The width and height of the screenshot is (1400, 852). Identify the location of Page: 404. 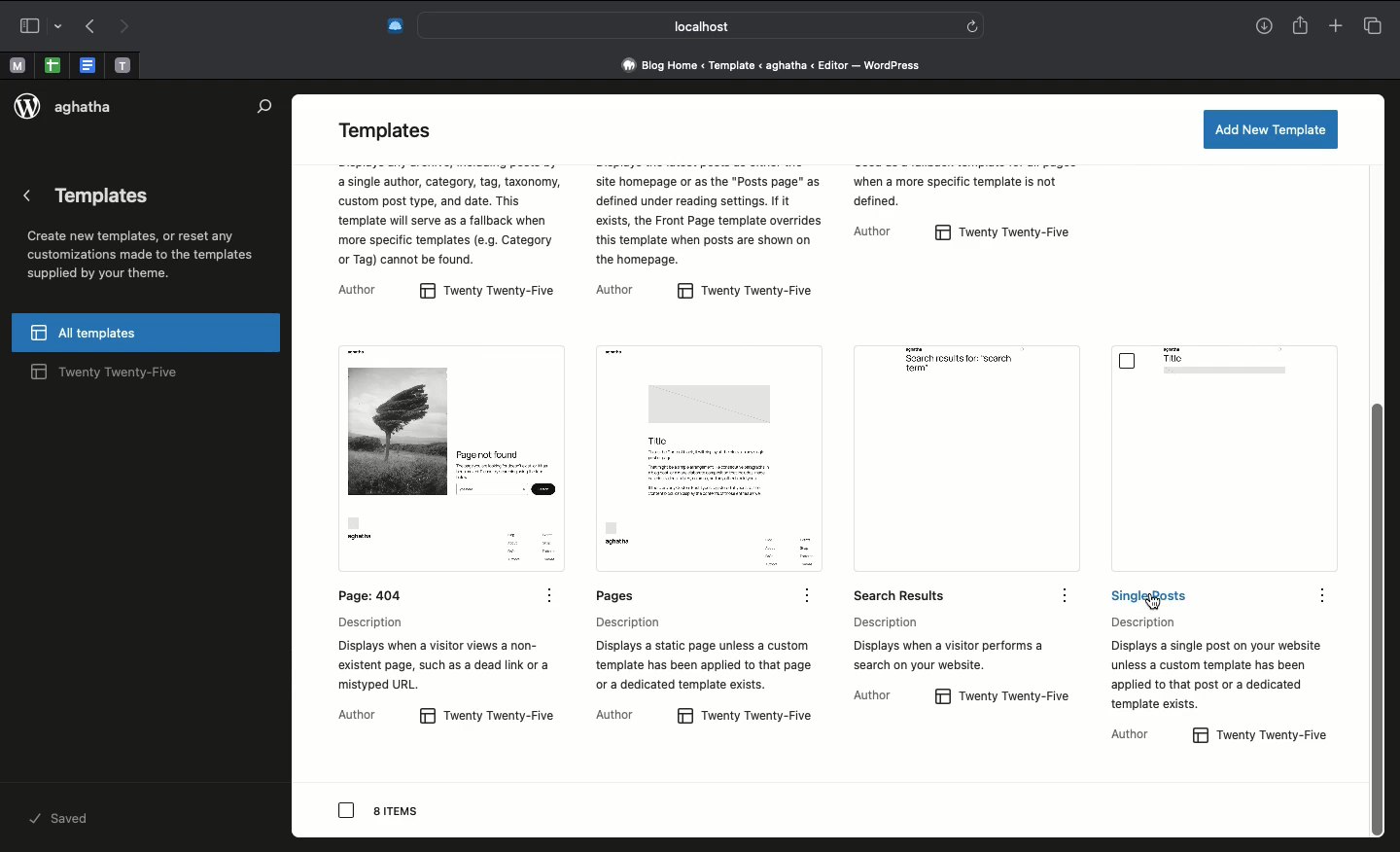
(453, 477).